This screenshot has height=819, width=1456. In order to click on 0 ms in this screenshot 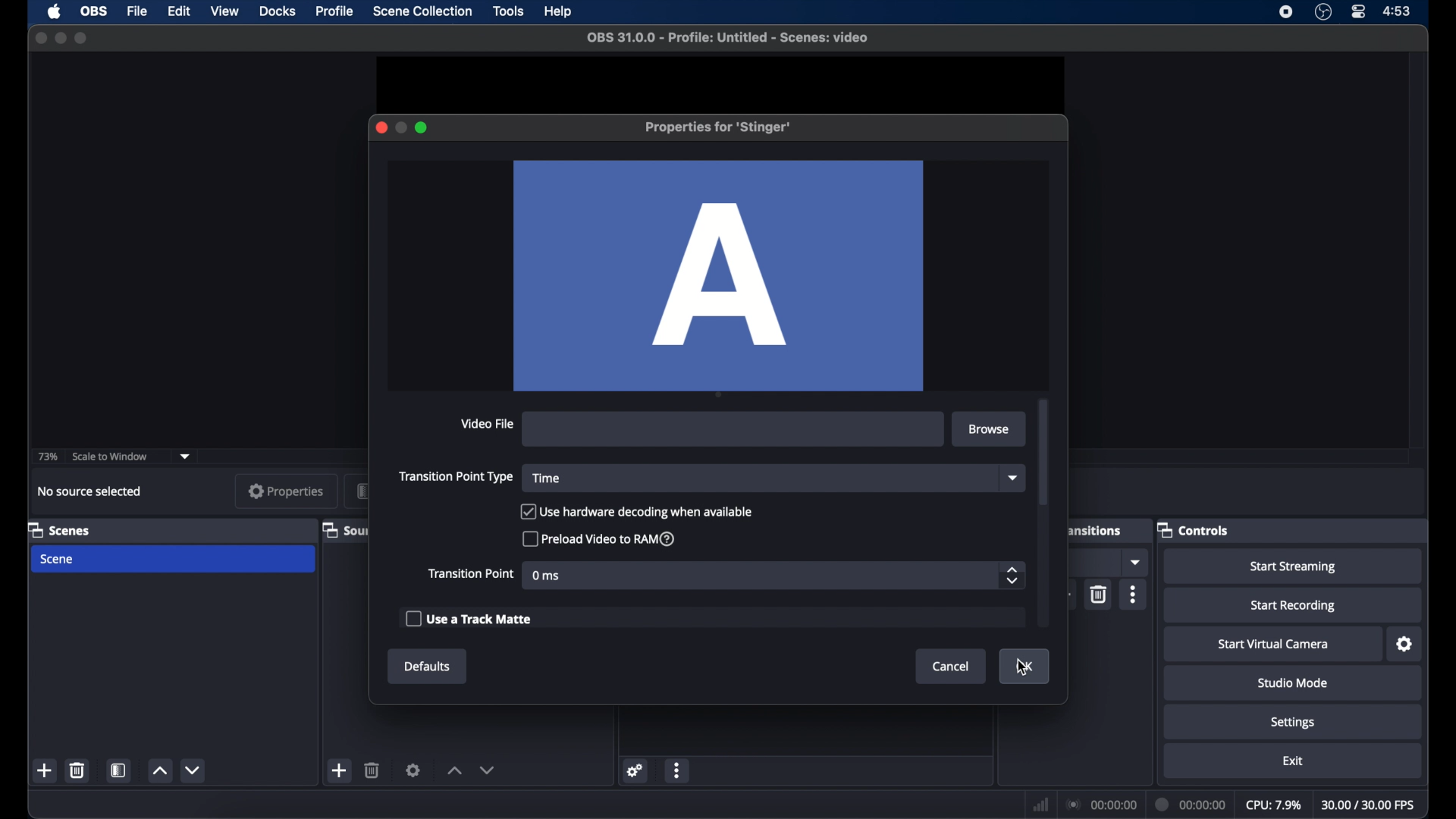, I will do `click(547, 576)`.